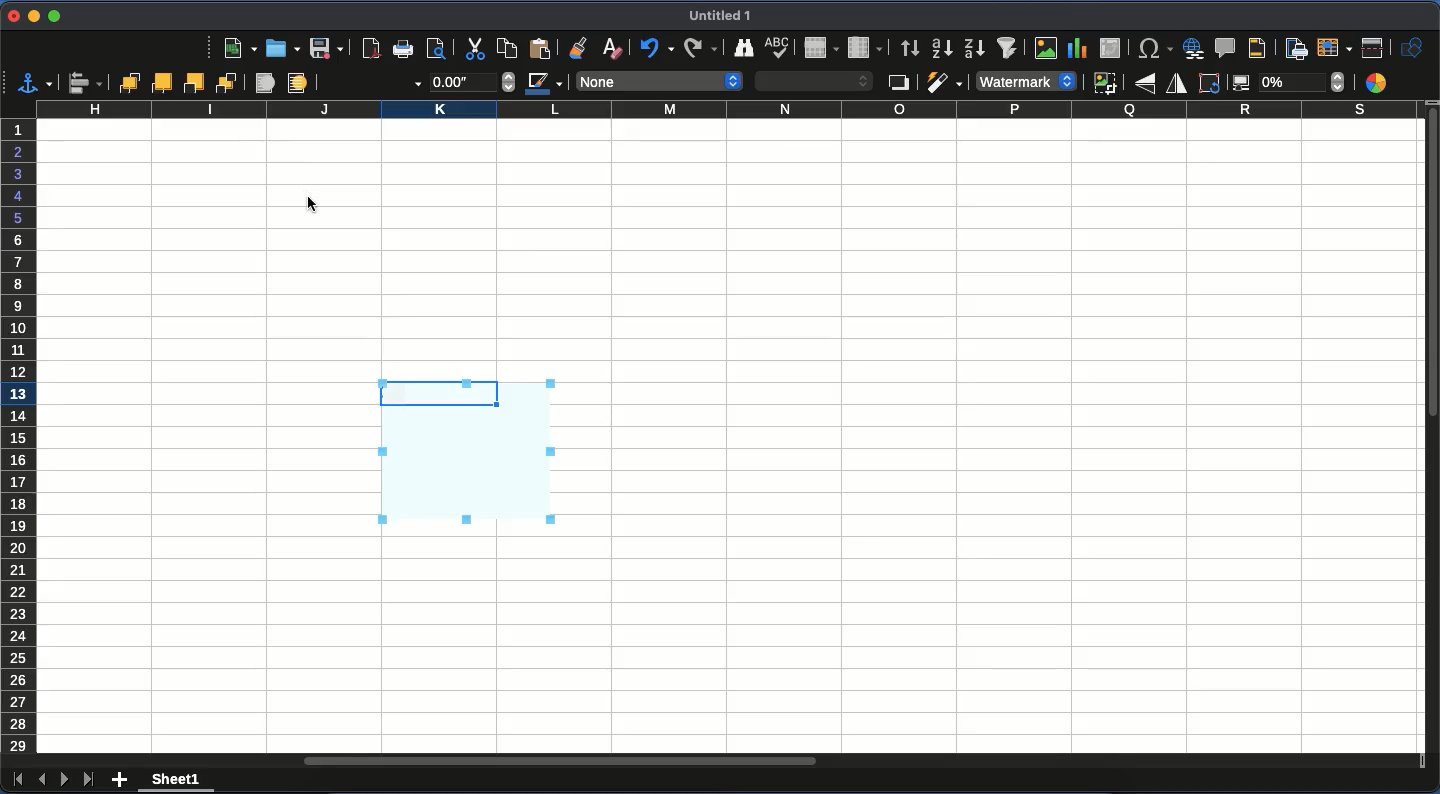  What do you see at coordinates (1297, 49) in the screenshot?
I see `define print area` at bounding box center [1297, 49].